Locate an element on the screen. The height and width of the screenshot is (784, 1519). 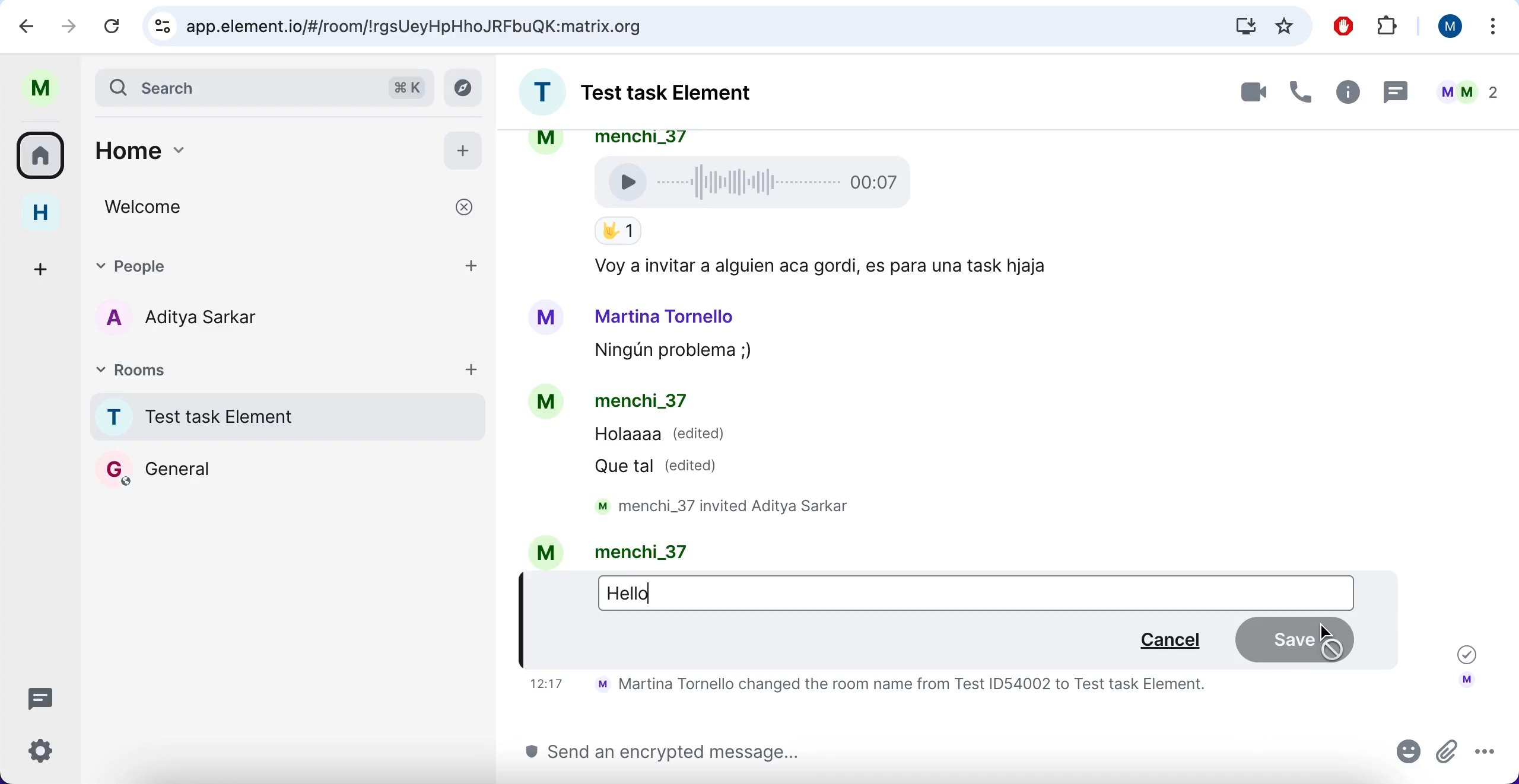
reload current page is located at coordinates (117, 26).